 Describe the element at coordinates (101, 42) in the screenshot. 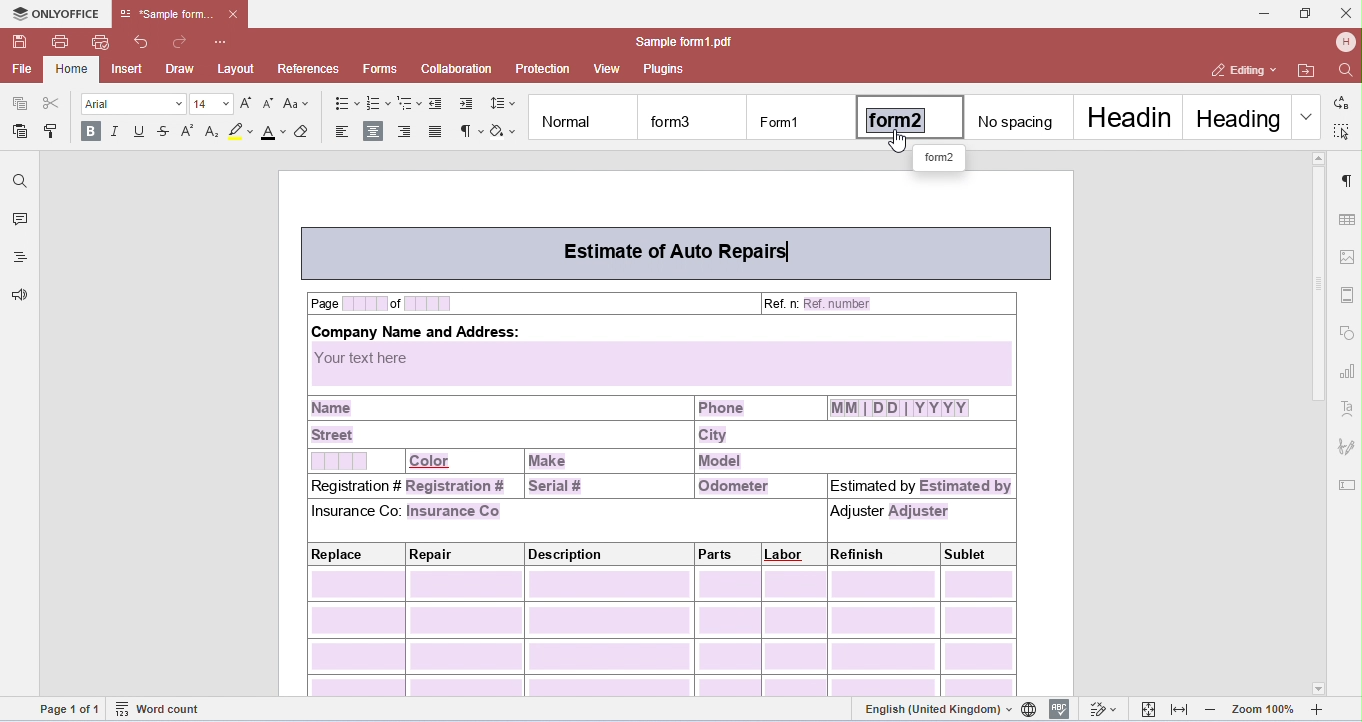

I see `print preview` at that location.